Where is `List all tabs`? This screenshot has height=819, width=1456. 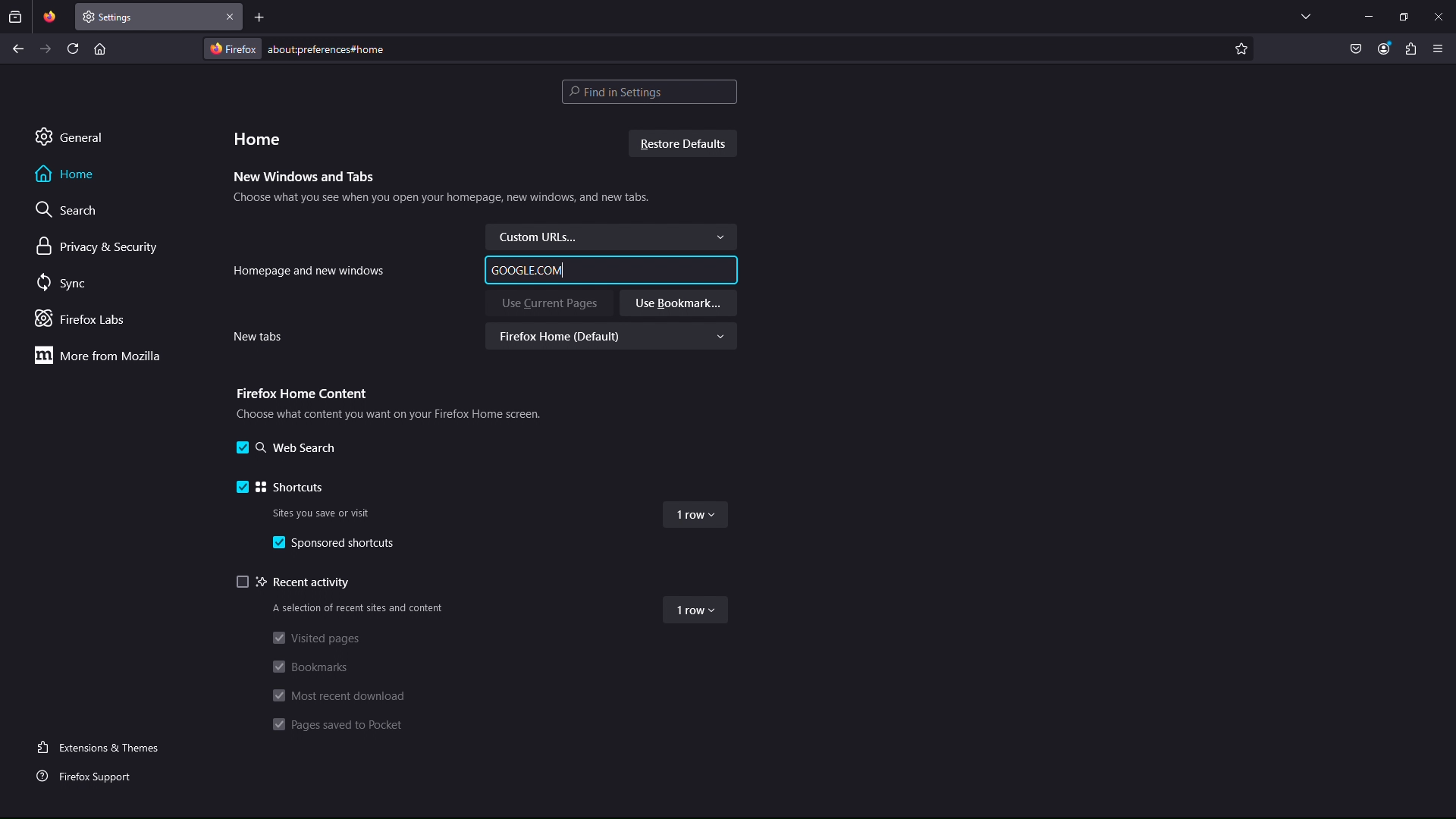
List all tabs is located at coordinates (1306, 16).